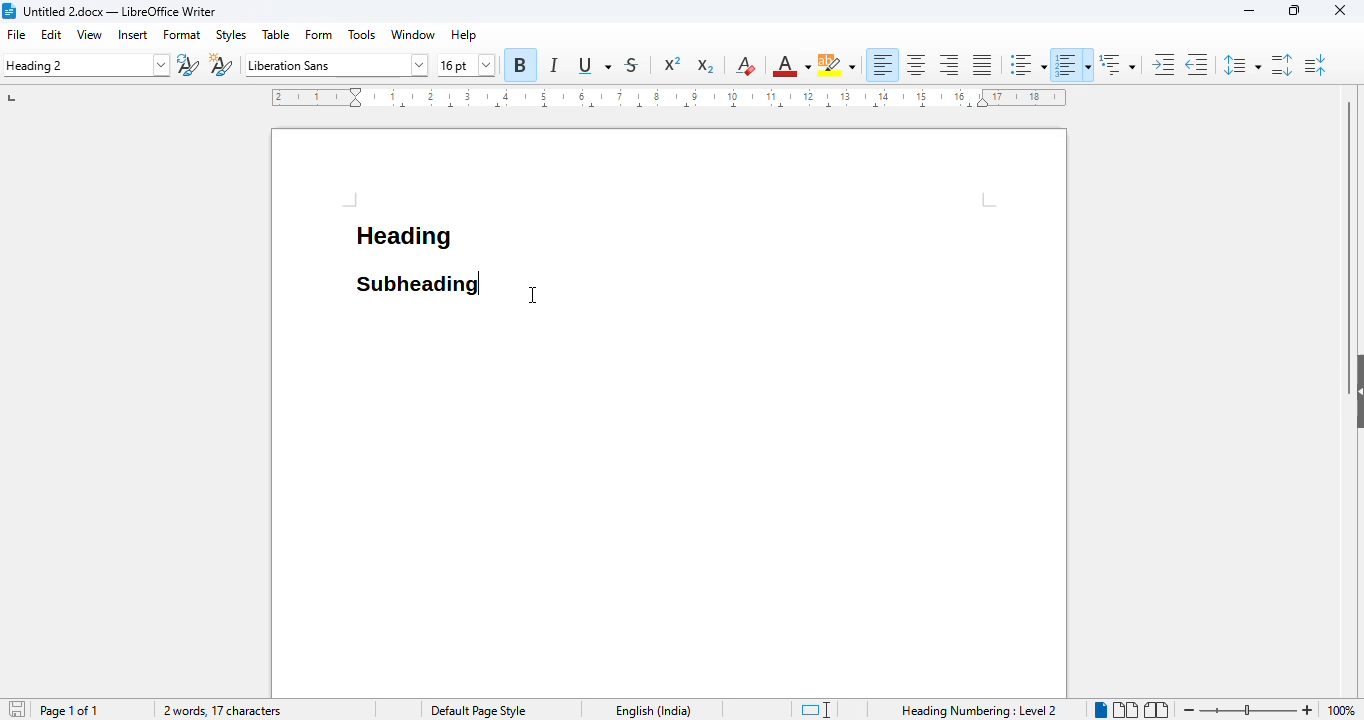  Describe the element at coordinates (1341, 710) in the screenshot. I see `zoom factor` at that location.